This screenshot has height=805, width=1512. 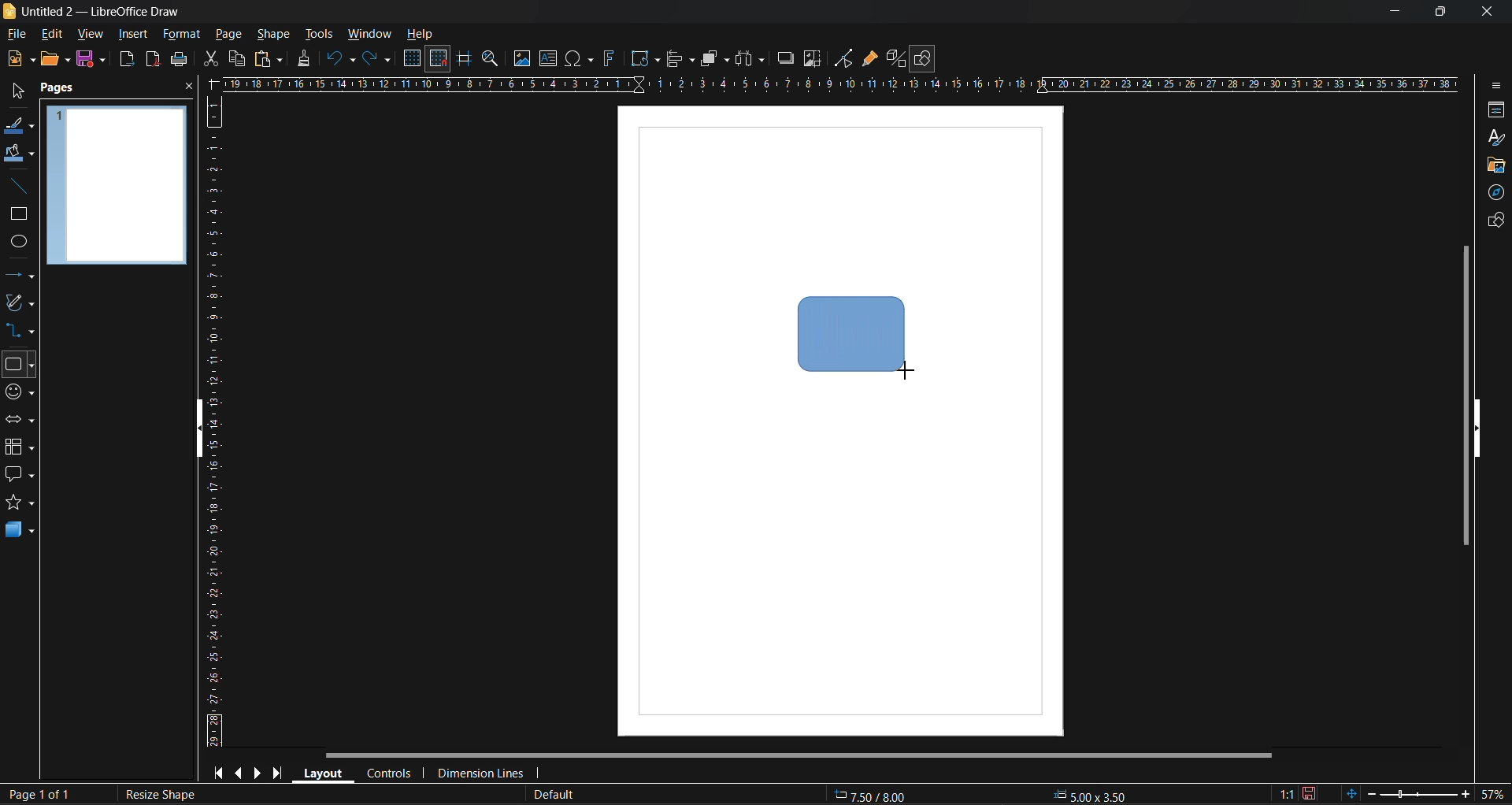 What do you see at coordinates (813, 59) in the screenshot?
I see `crop image` at bounding box center [813, 59].